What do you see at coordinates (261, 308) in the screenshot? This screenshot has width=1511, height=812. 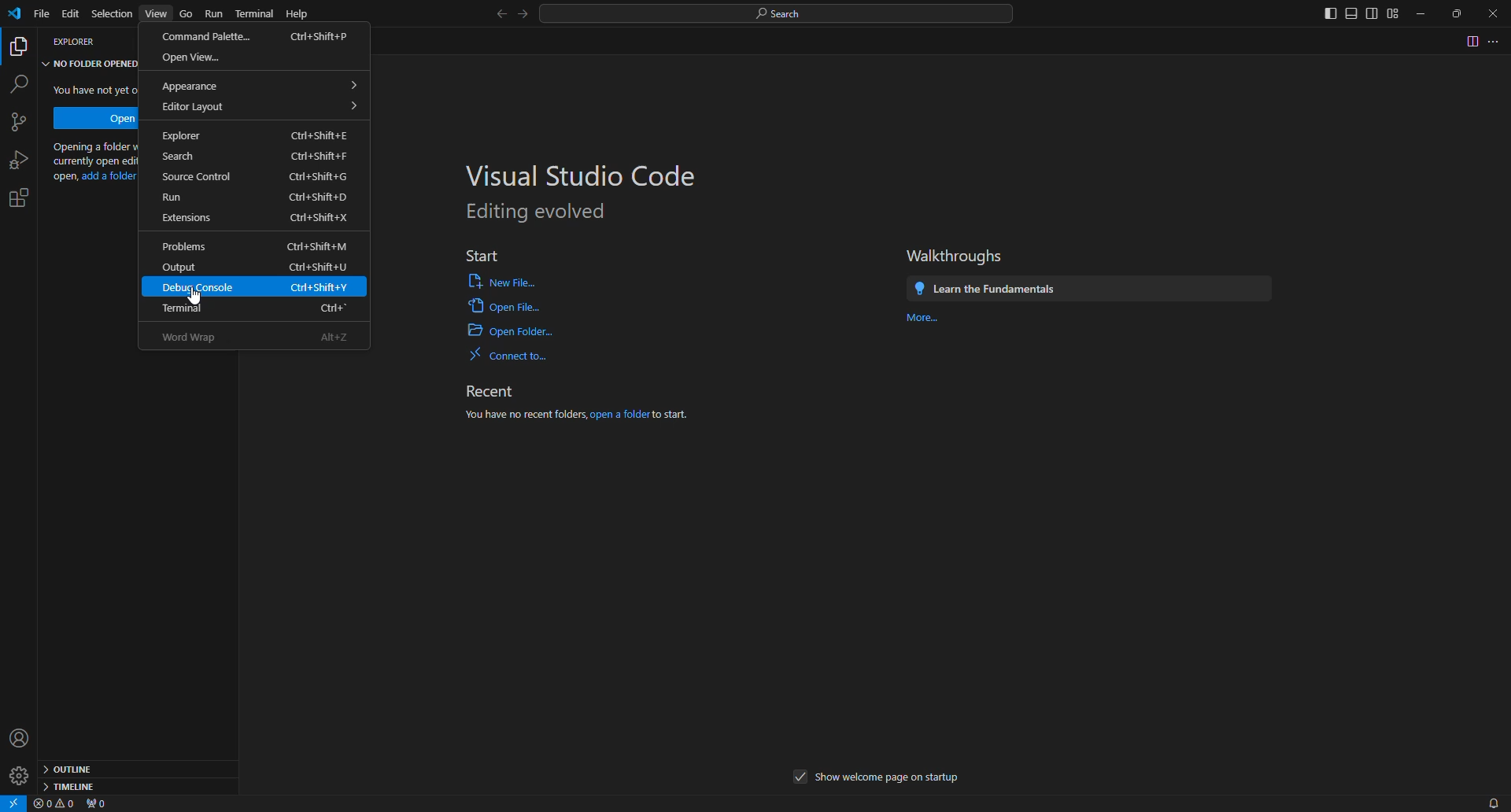 I see `Terminal` at bounding box center [261, 308].